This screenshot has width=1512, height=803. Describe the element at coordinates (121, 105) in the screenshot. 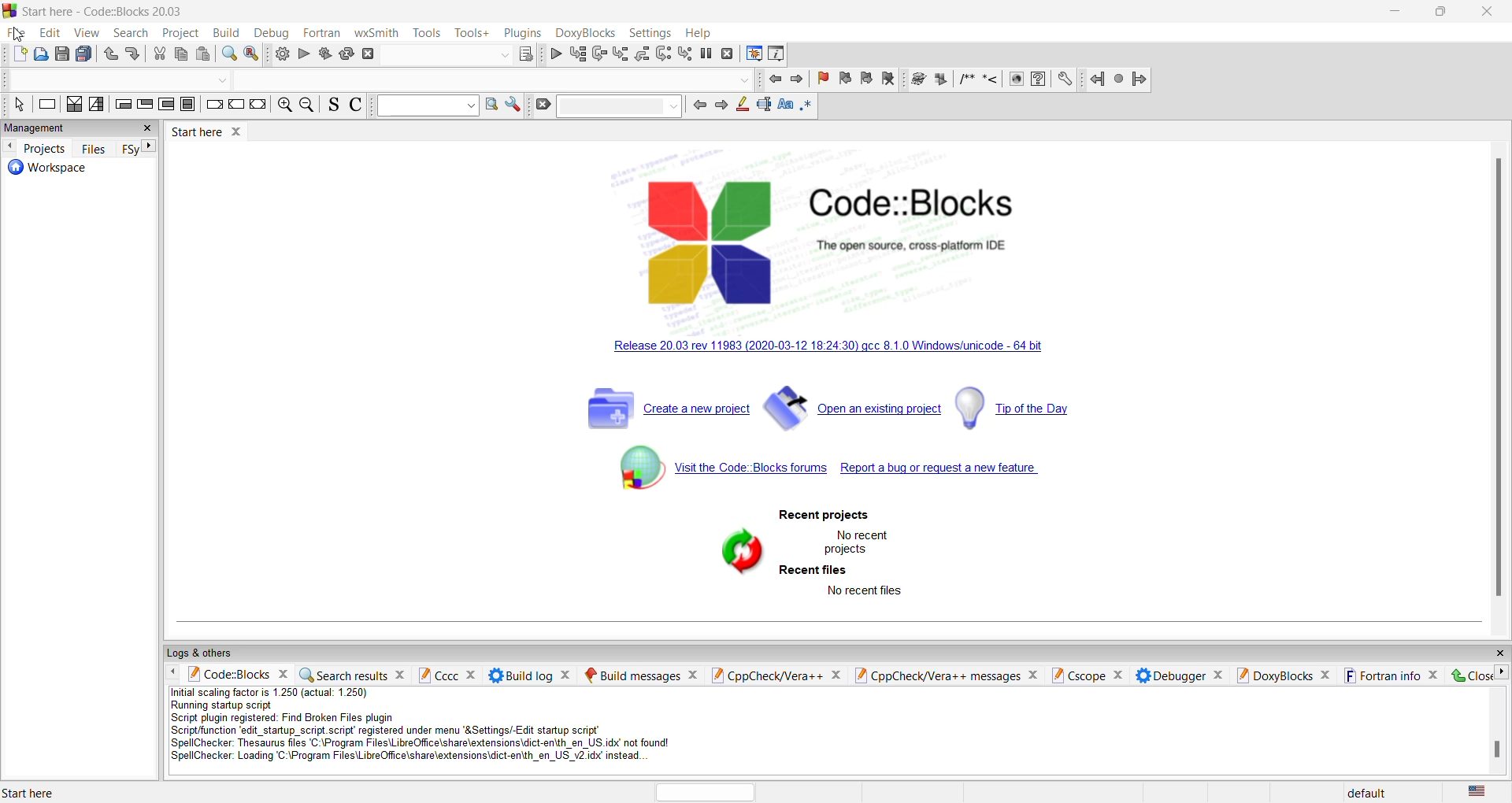

I see `entry condition loop` at that location.